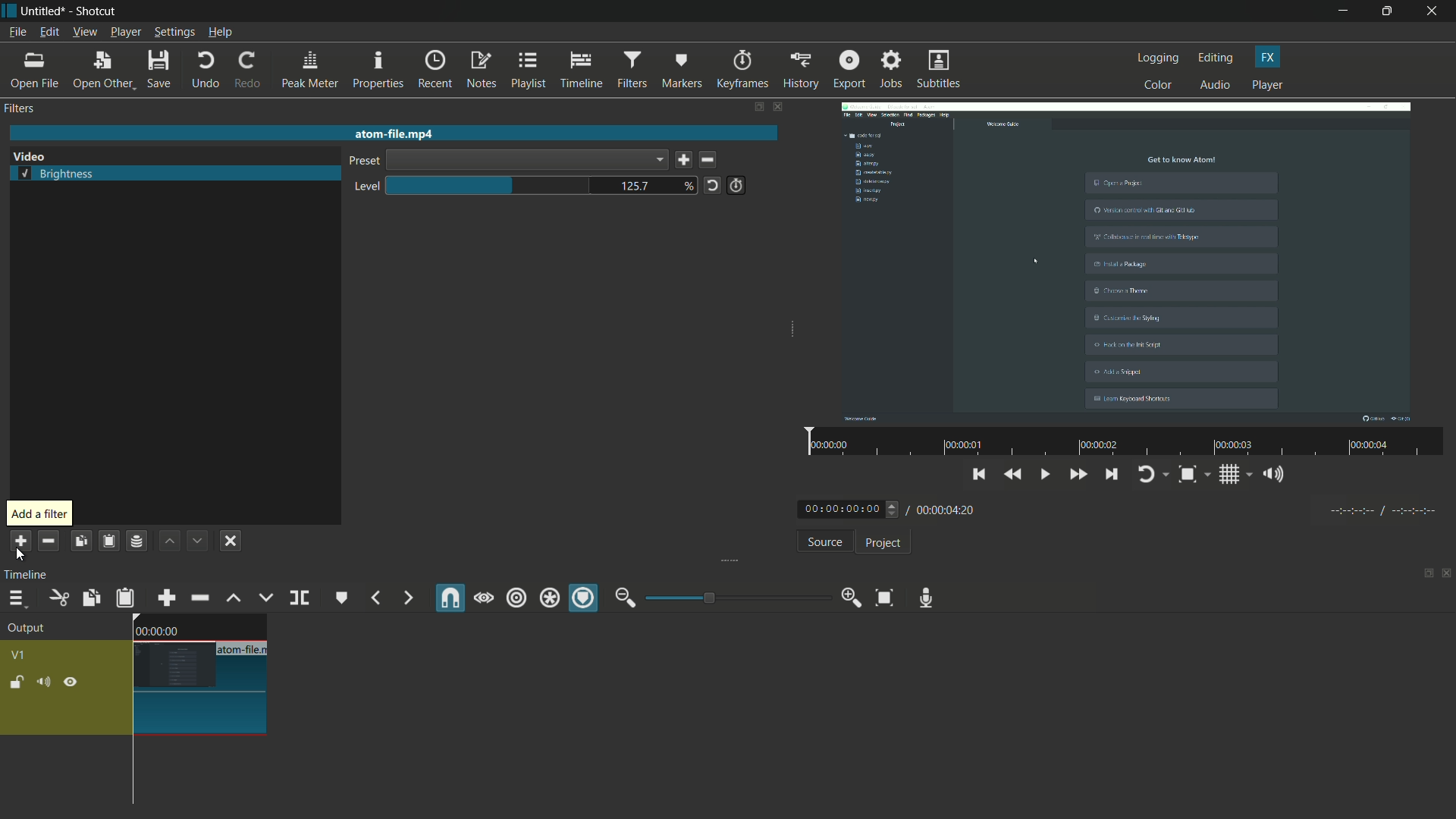 The image size is (1456, 819). I want to click on timecodes, so click(1381, 508).